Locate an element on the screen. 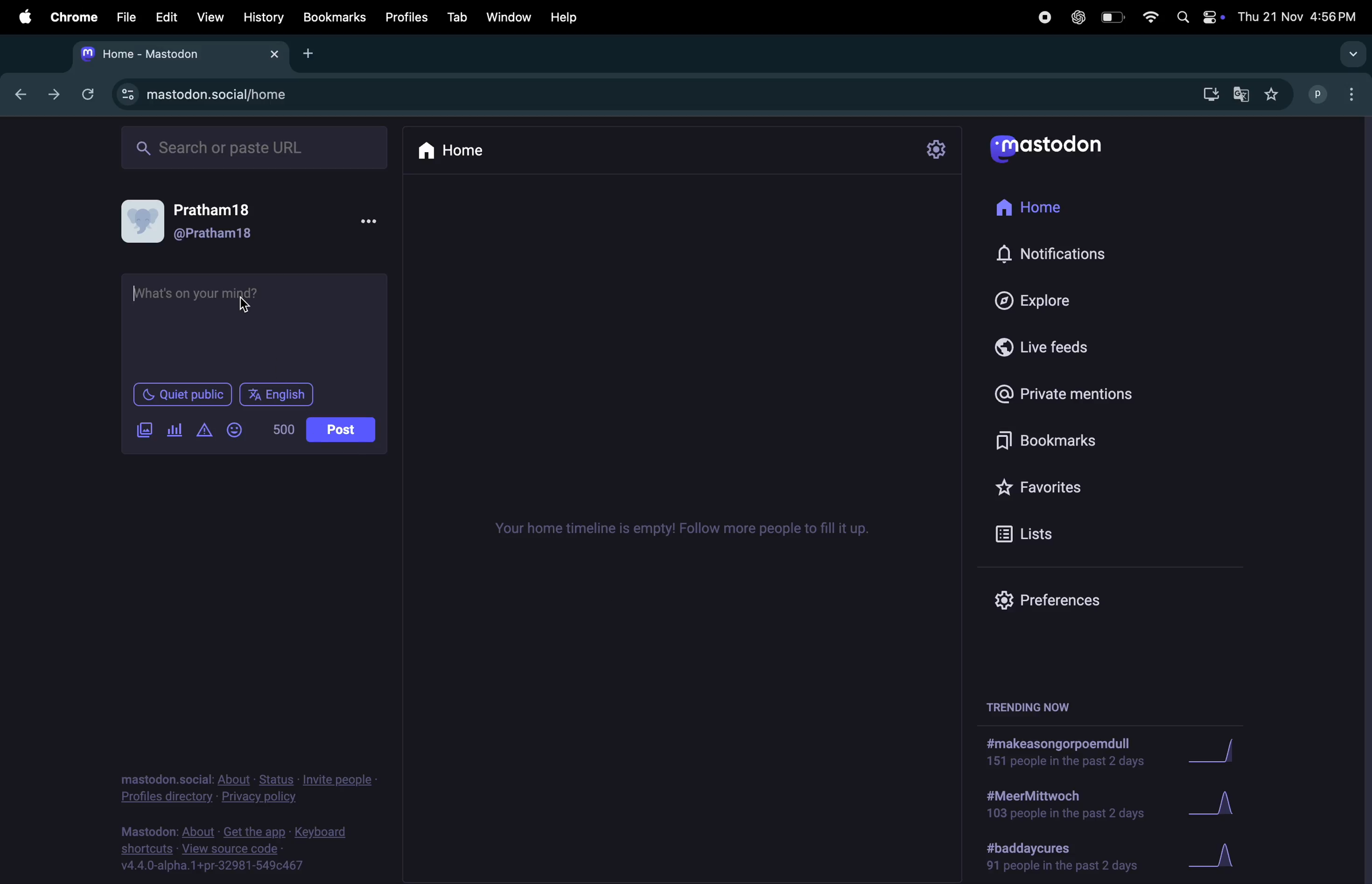 The width and height of the screenshot is (1372, 884). mastodon site url is located at coordinates (238, 96).